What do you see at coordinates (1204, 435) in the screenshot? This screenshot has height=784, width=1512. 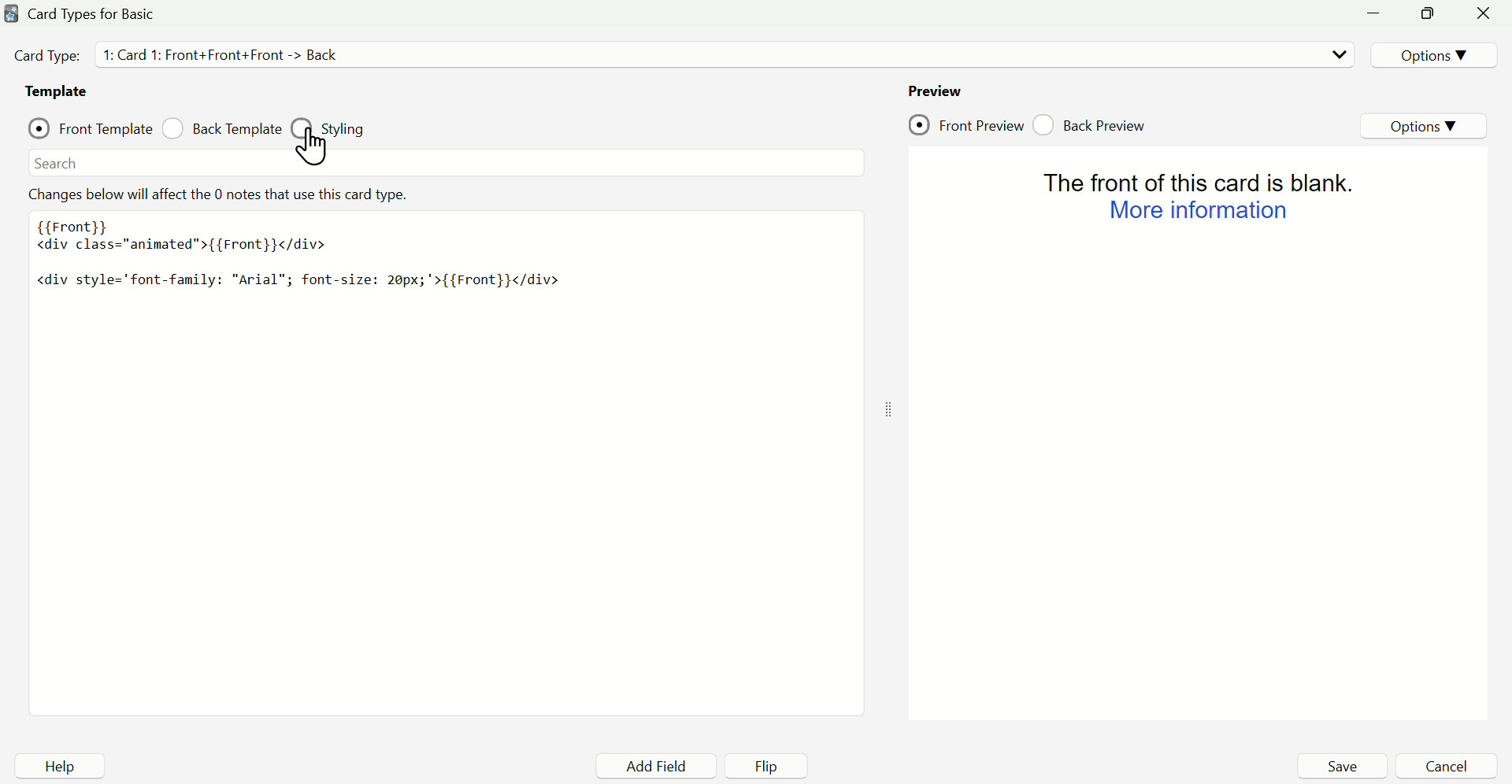 I see `Preview` at bounding box center [1204, 435].